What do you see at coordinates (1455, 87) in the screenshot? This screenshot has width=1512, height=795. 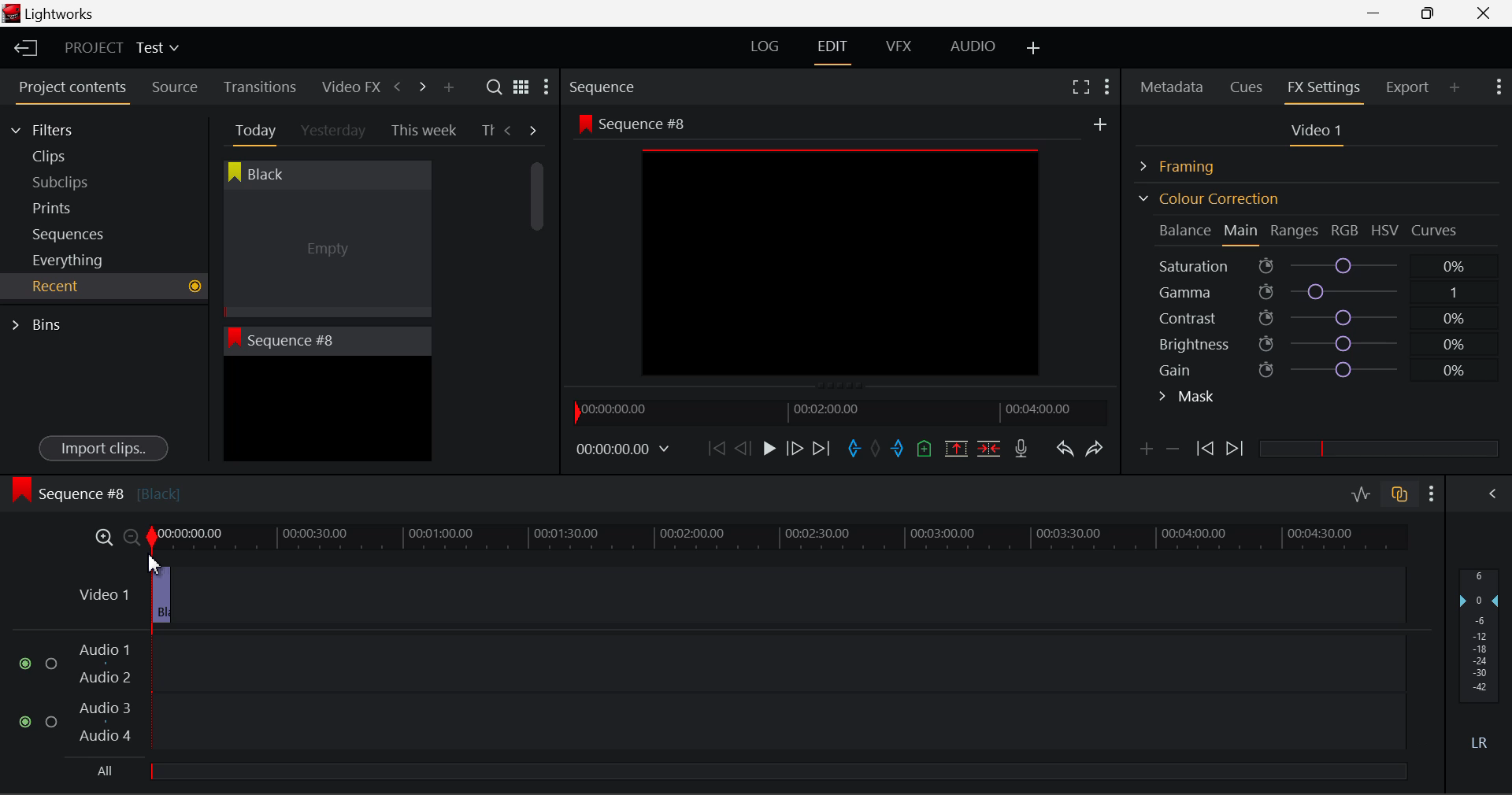 I see `Add Panel` at bounding box center [1455, 87].